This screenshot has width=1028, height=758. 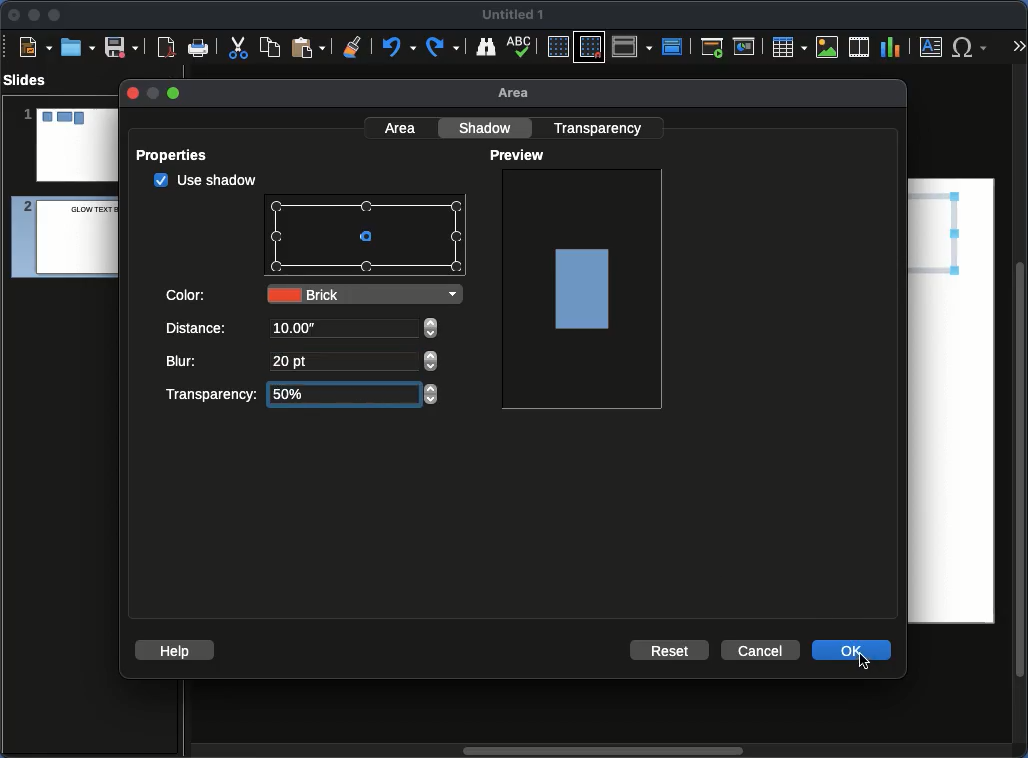 What do you see at coordinates (175, 94) in the screenshot?
I see `maximize` at bounding box center [175, 94].